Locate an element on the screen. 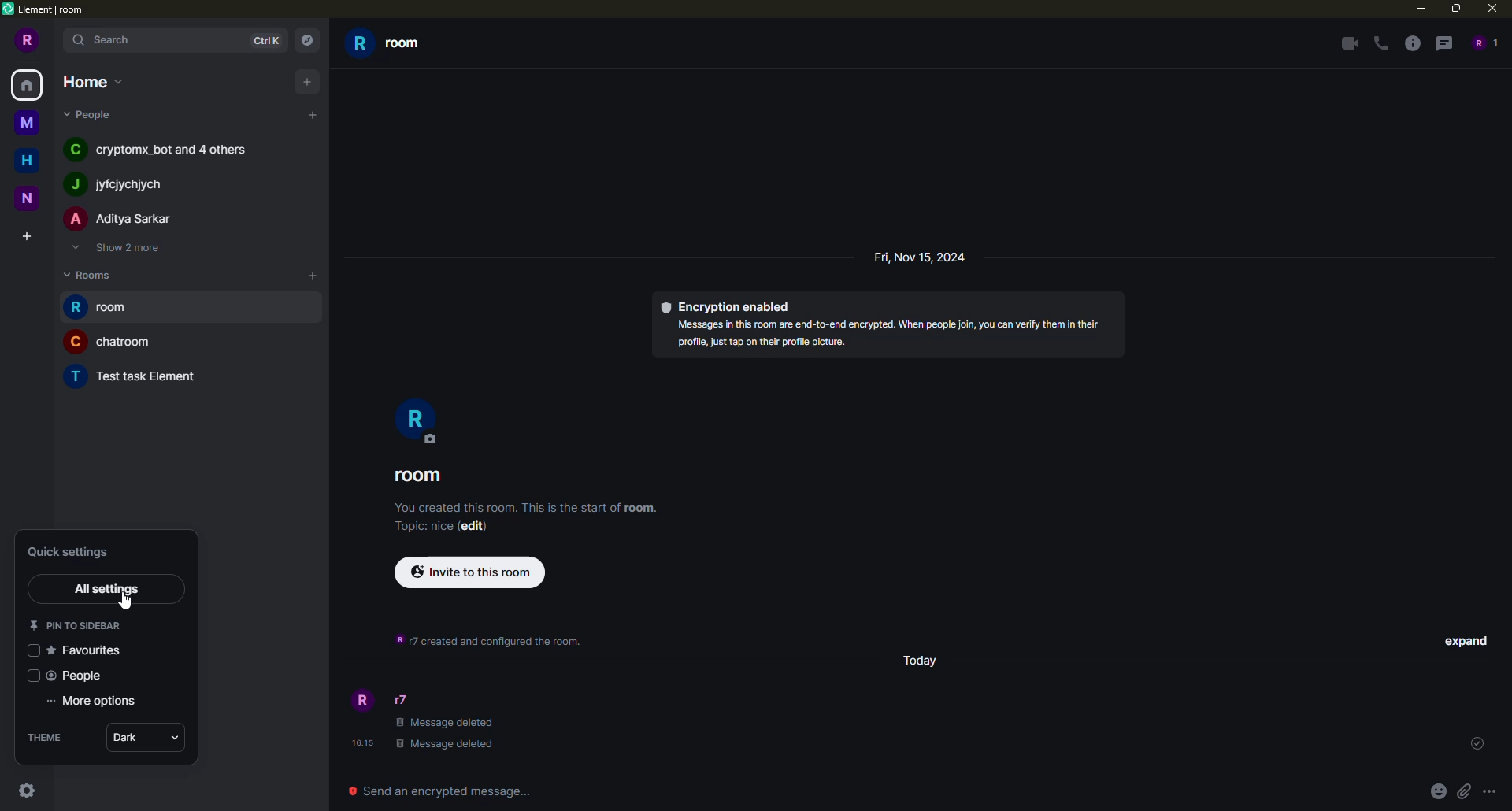 Image resolution: width=1512 pixels, height=811 pixels. create space is located at coordinates (26, 238).